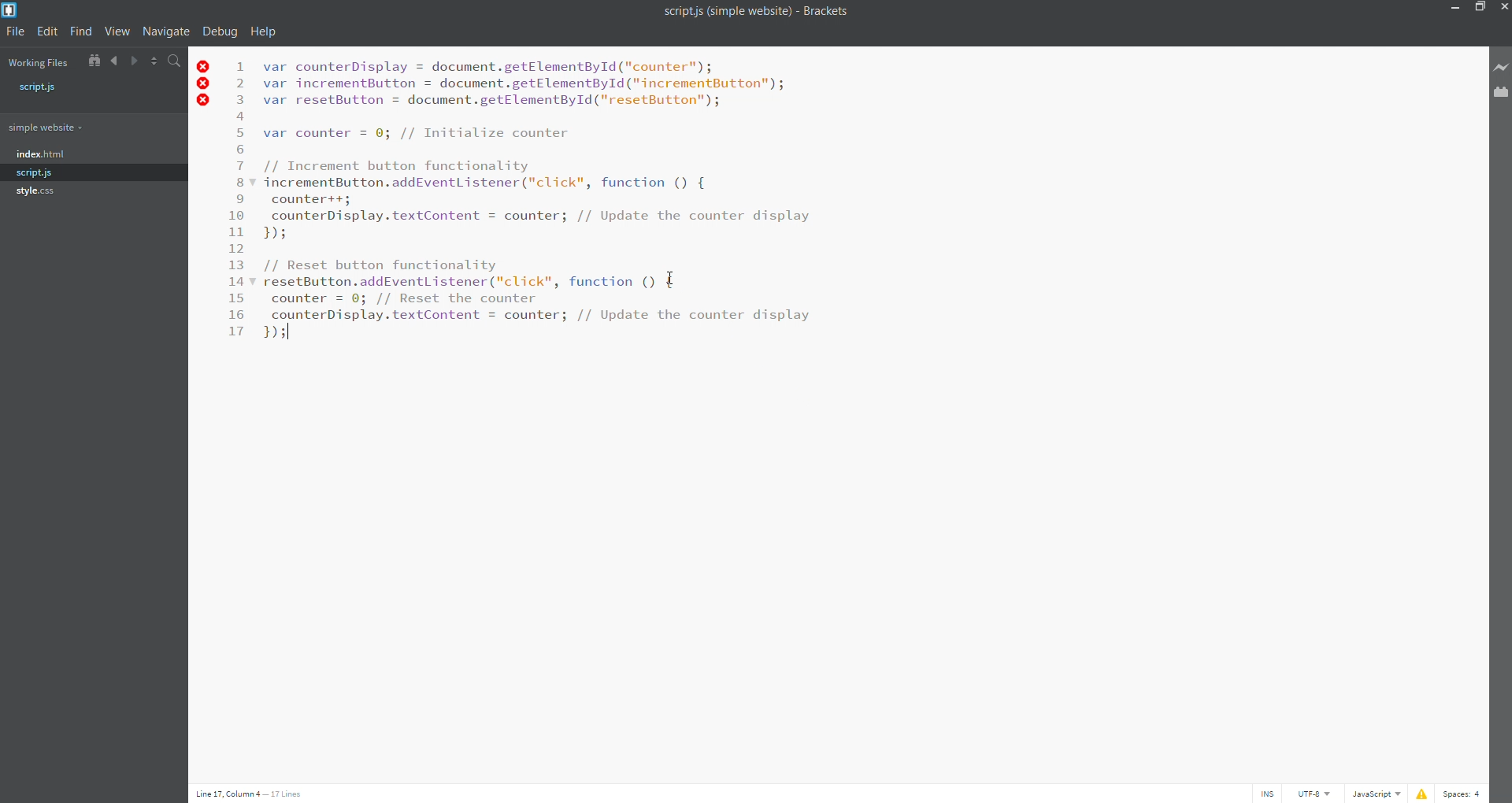 This screenshot has width=1512, height=803. What do you see at coordinates (1376, 794) in the screenshot?
I see `file type` at bounding box center [1376, 794].